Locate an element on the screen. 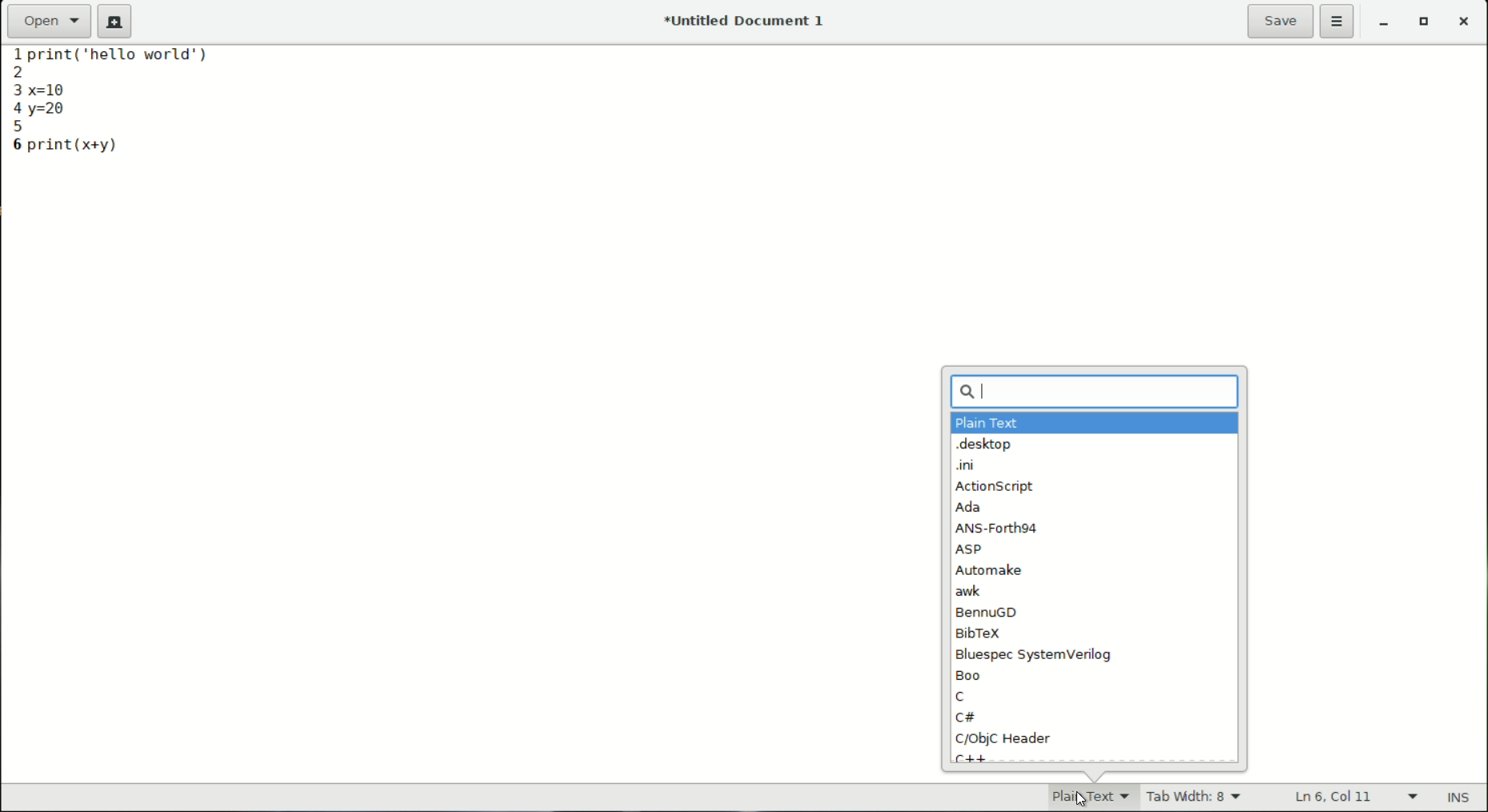  more options is located at coordinates (1339, 22).